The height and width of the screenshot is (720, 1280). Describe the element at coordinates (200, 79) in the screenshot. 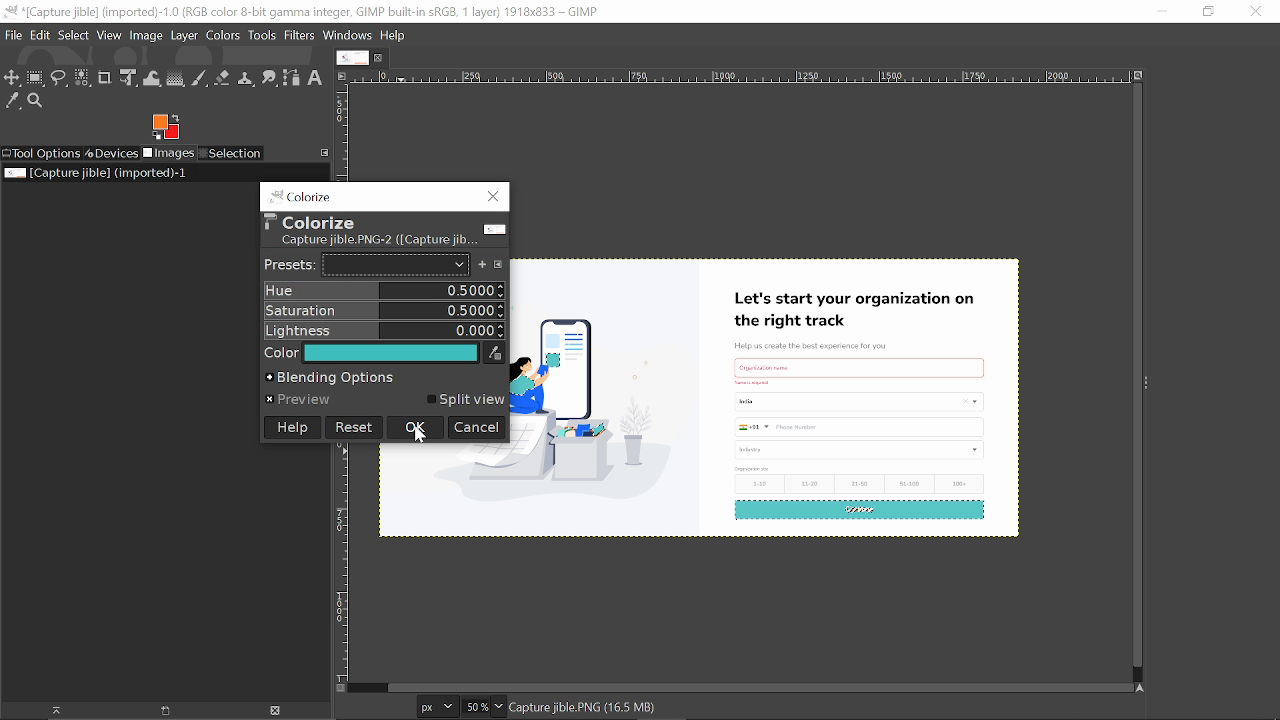

I see `Paintbrush tool` at that location.